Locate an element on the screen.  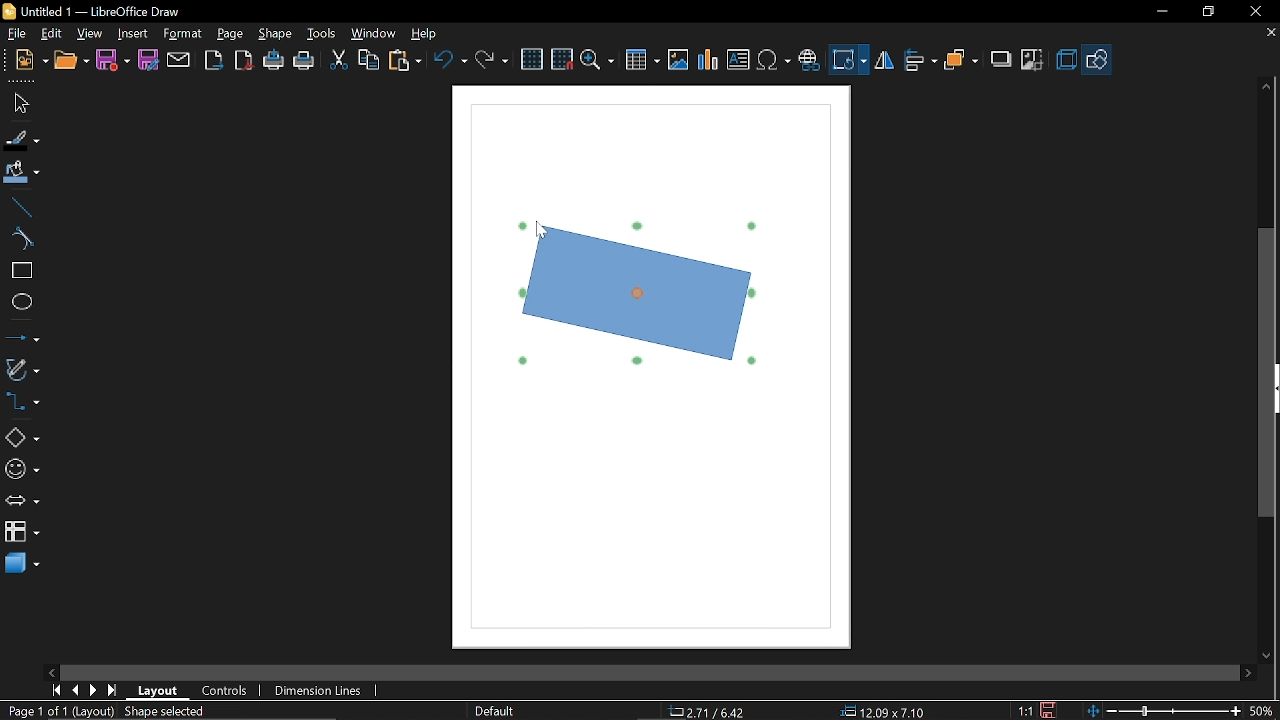
New is located at coordinates (25, 61).